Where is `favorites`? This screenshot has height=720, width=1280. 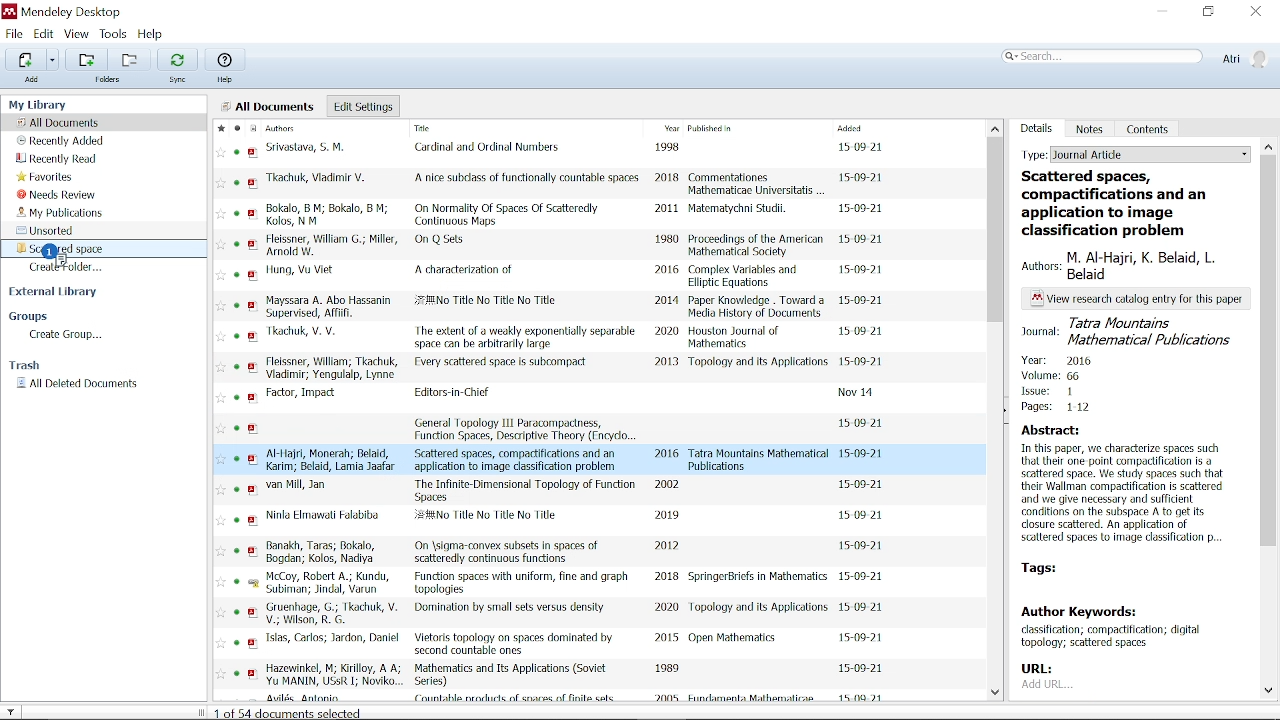 favorites is located at coordinates (46, 178).